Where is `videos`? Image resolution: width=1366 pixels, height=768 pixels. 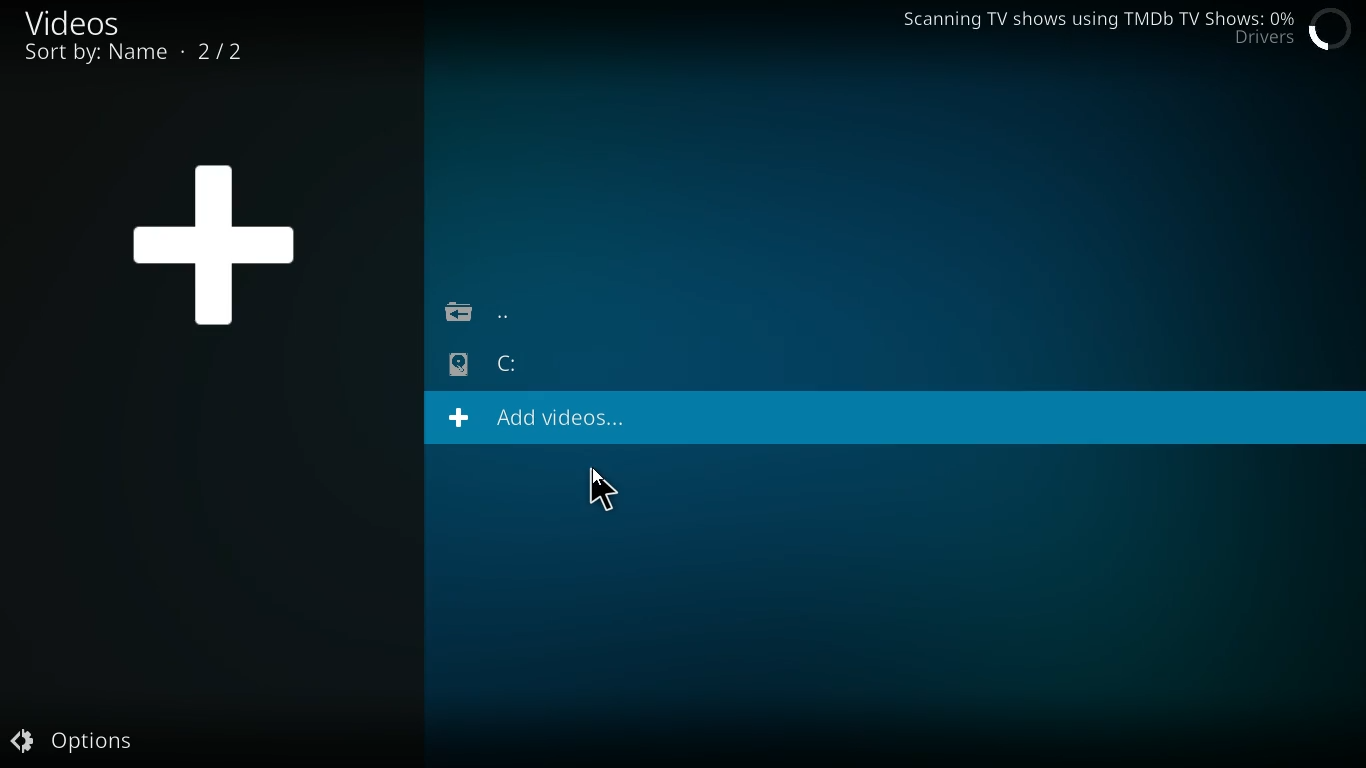
videos is located at coordinates (96, 22).